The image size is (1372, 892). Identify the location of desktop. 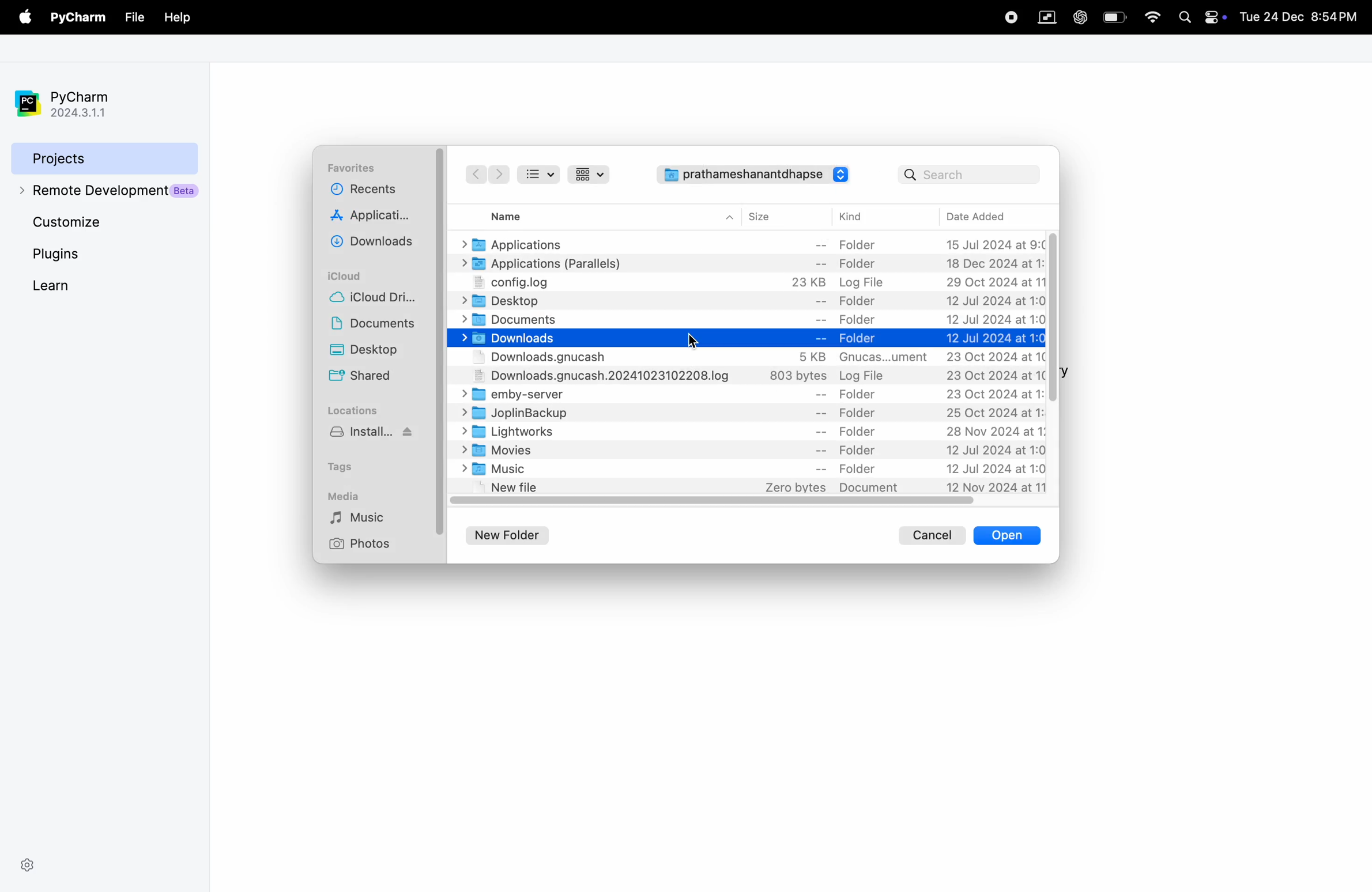
(378, 351).